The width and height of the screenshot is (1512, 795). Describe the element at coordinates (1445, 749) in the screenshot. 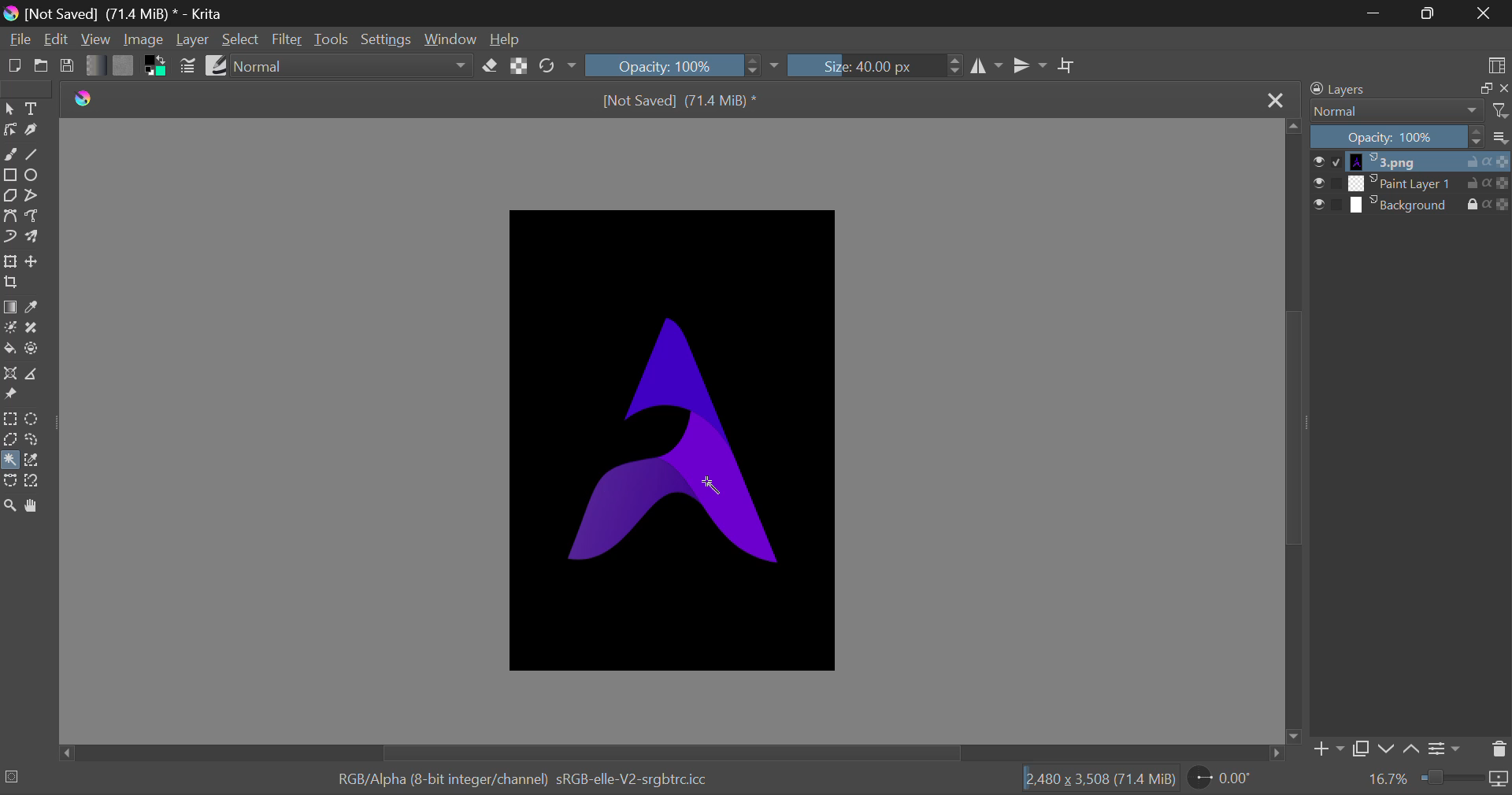

I see `Settings` at that location.